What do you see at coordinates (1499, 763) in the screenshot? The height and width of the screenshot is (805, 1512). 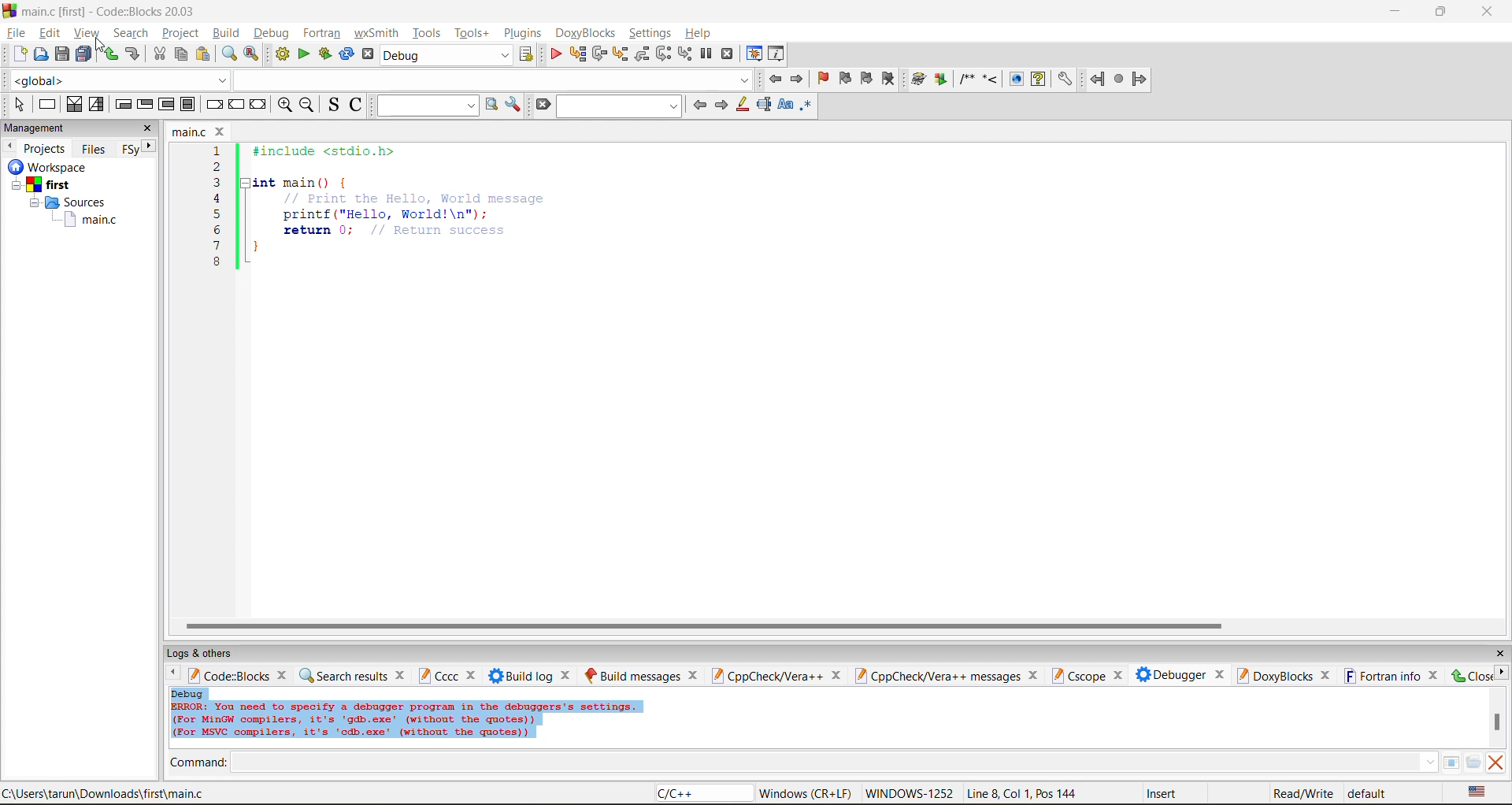 I see `clear output window` at bounding box center [1499, 763].